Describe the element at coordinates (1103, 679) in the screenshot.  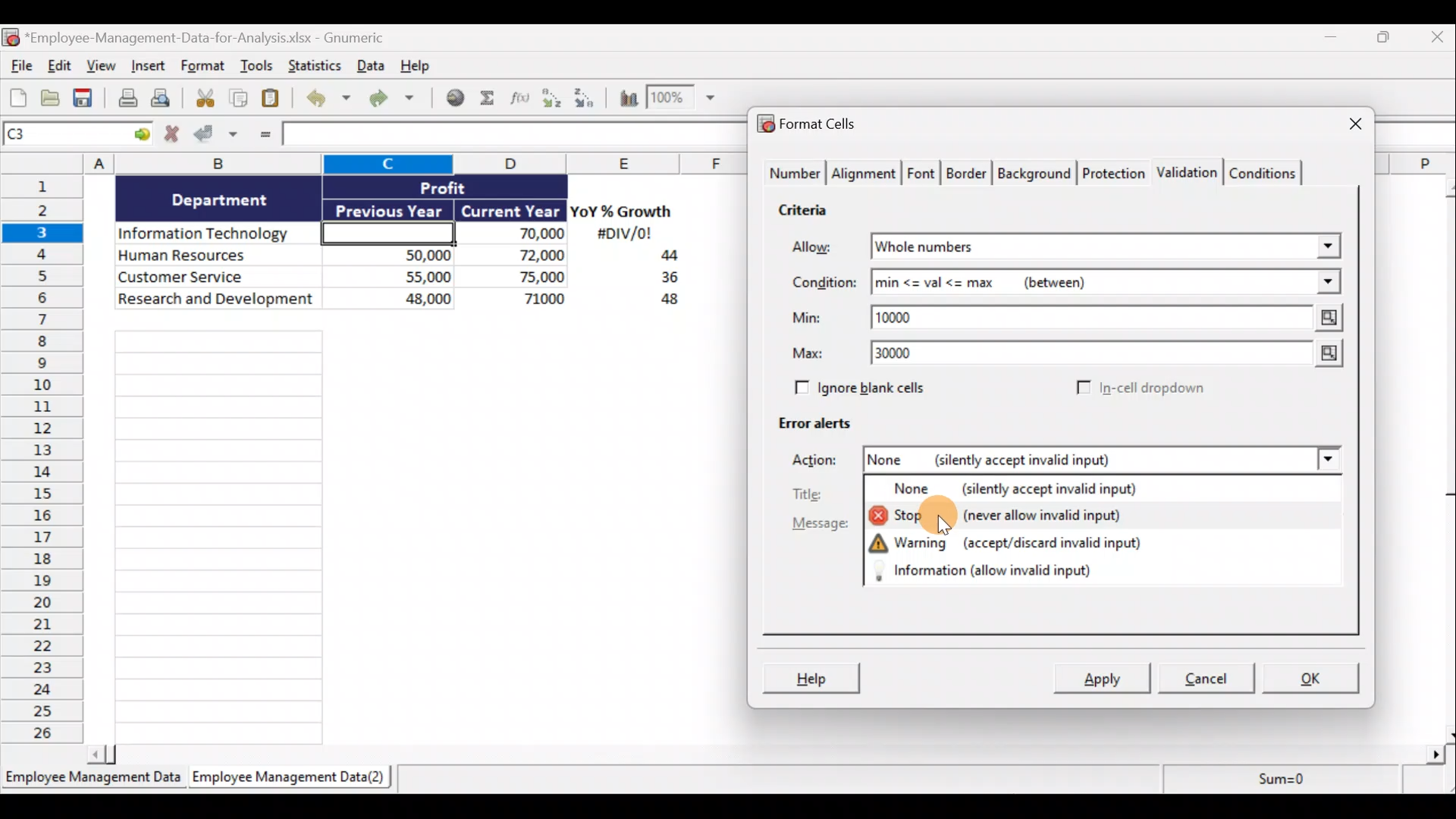
I see `Apply` at that location.